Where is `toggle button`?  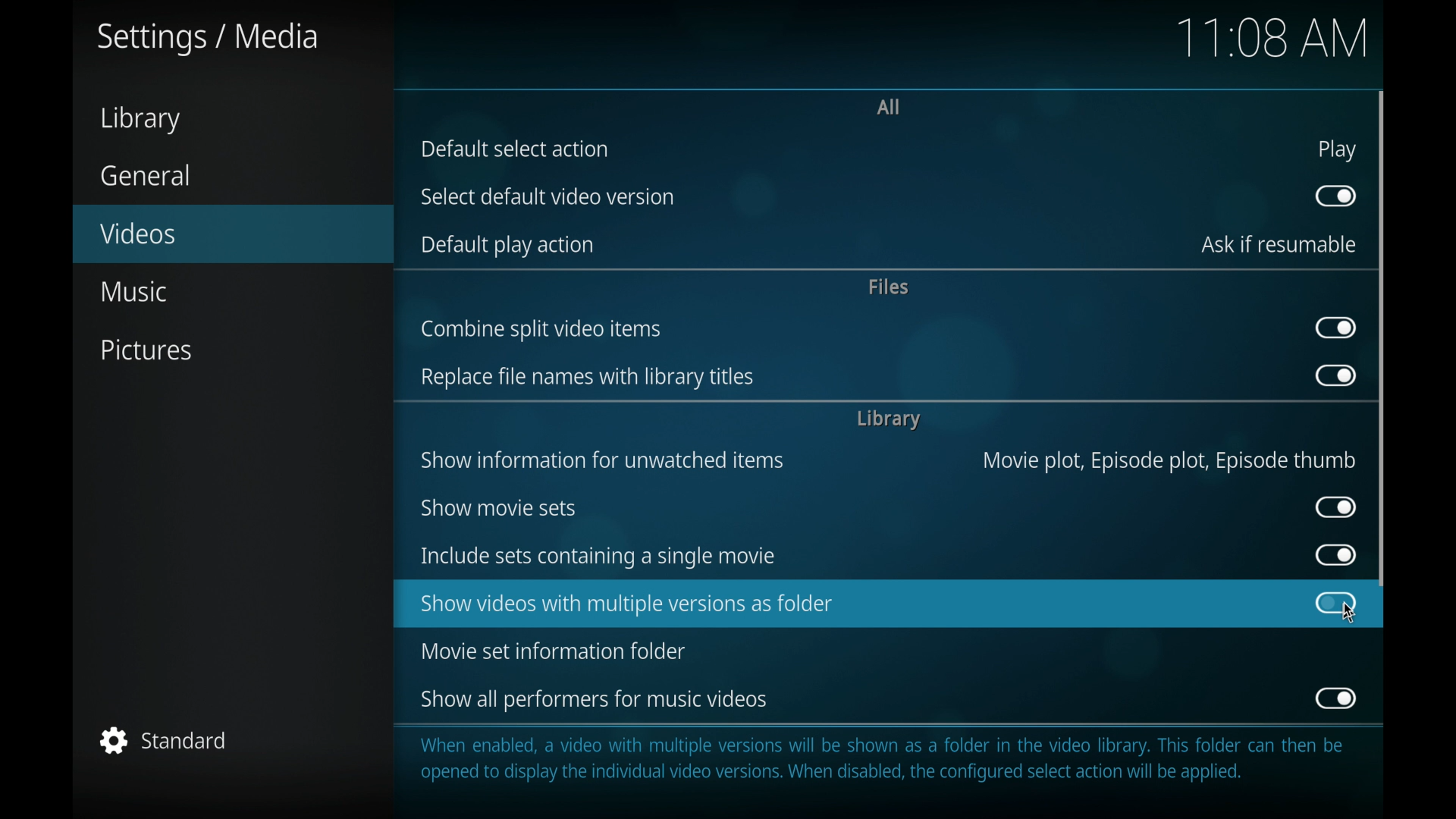 toggle button is located at coordinates (1336, 196).